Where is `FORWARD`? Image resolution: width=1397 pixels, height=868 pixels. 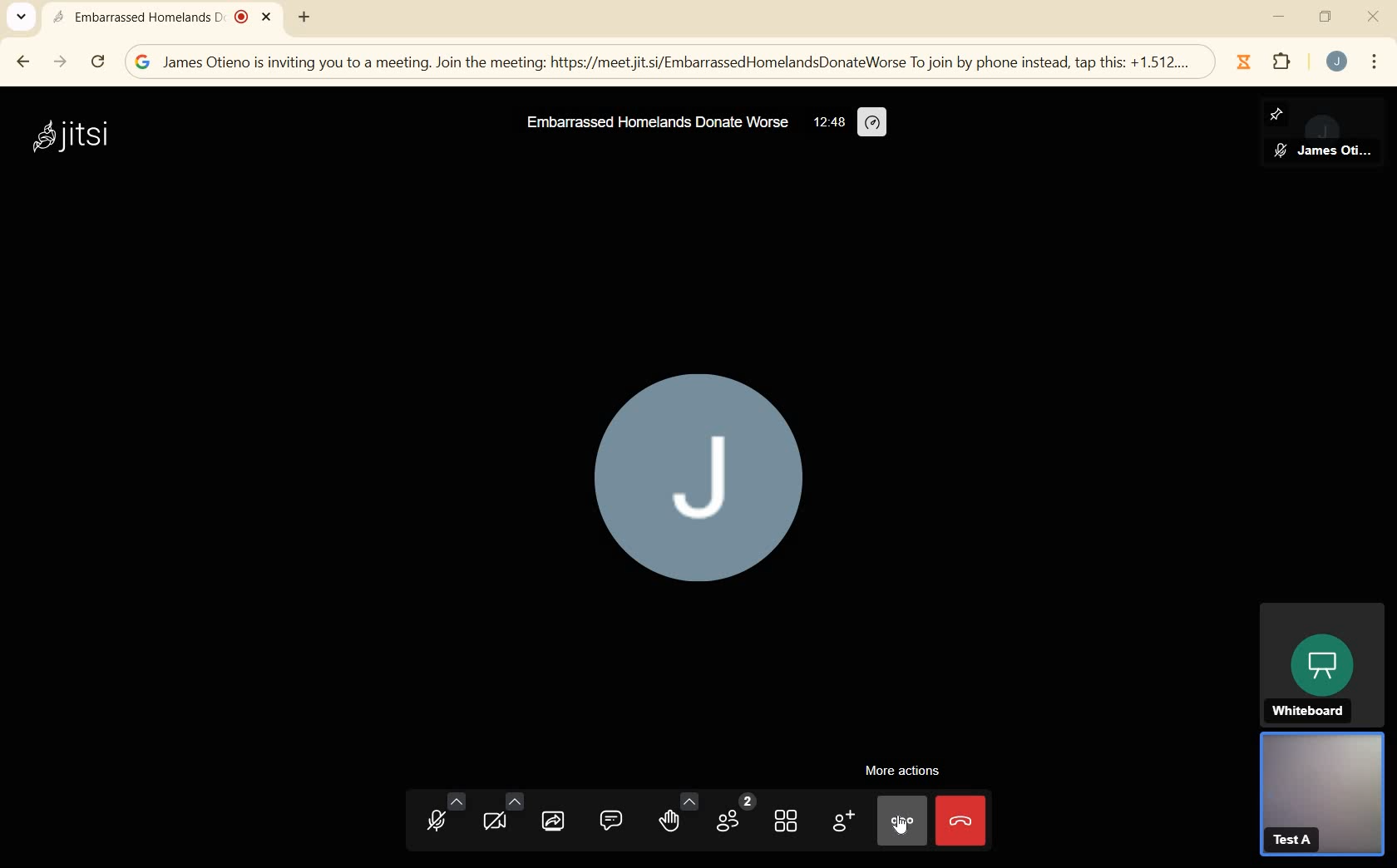 FORWARD is located at coordinates (61, 62).